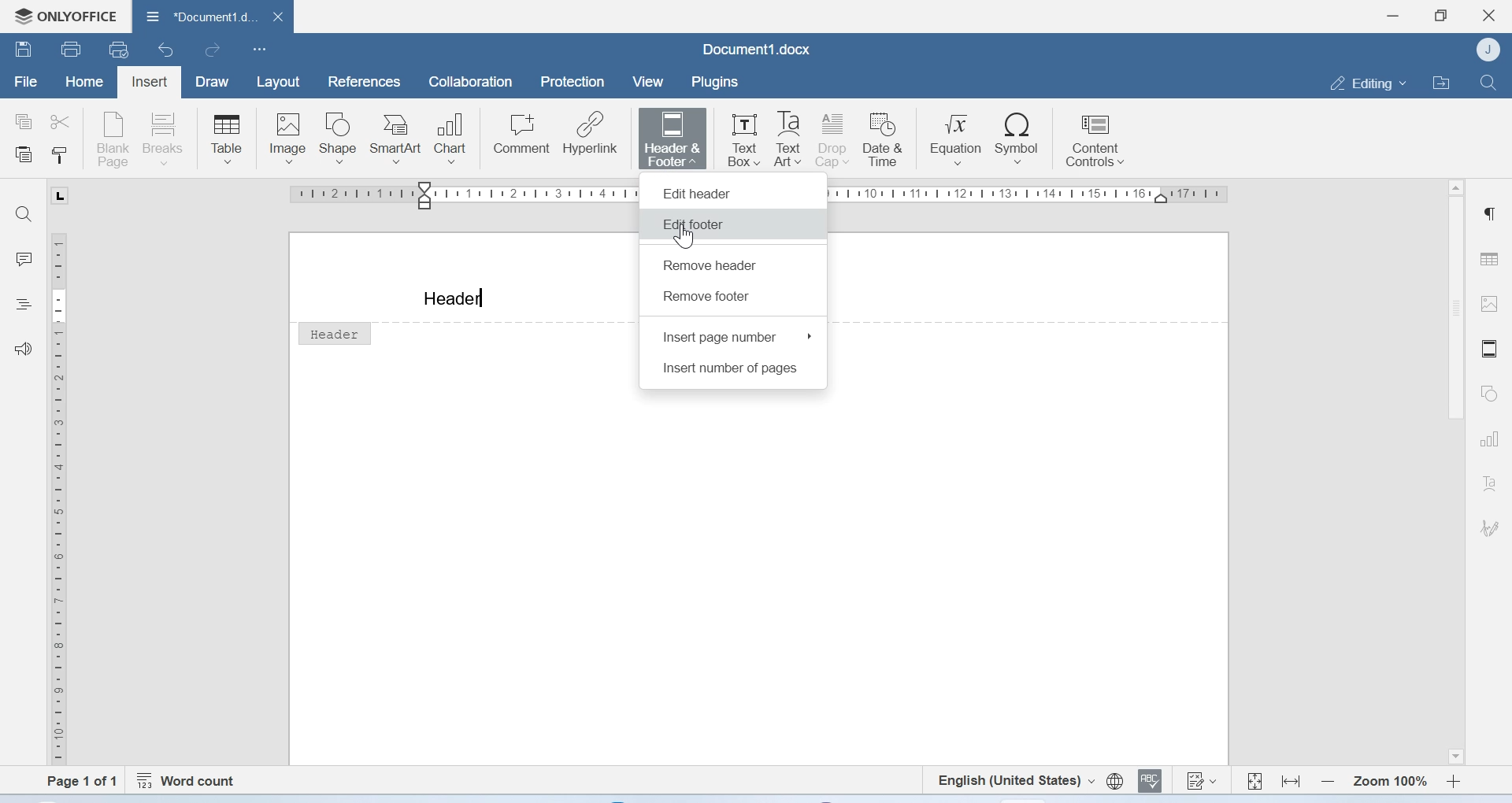  What do you see at coordinates (1488, 50) in the screenshot?
I see `Account` at bounding box center [1488, 50].